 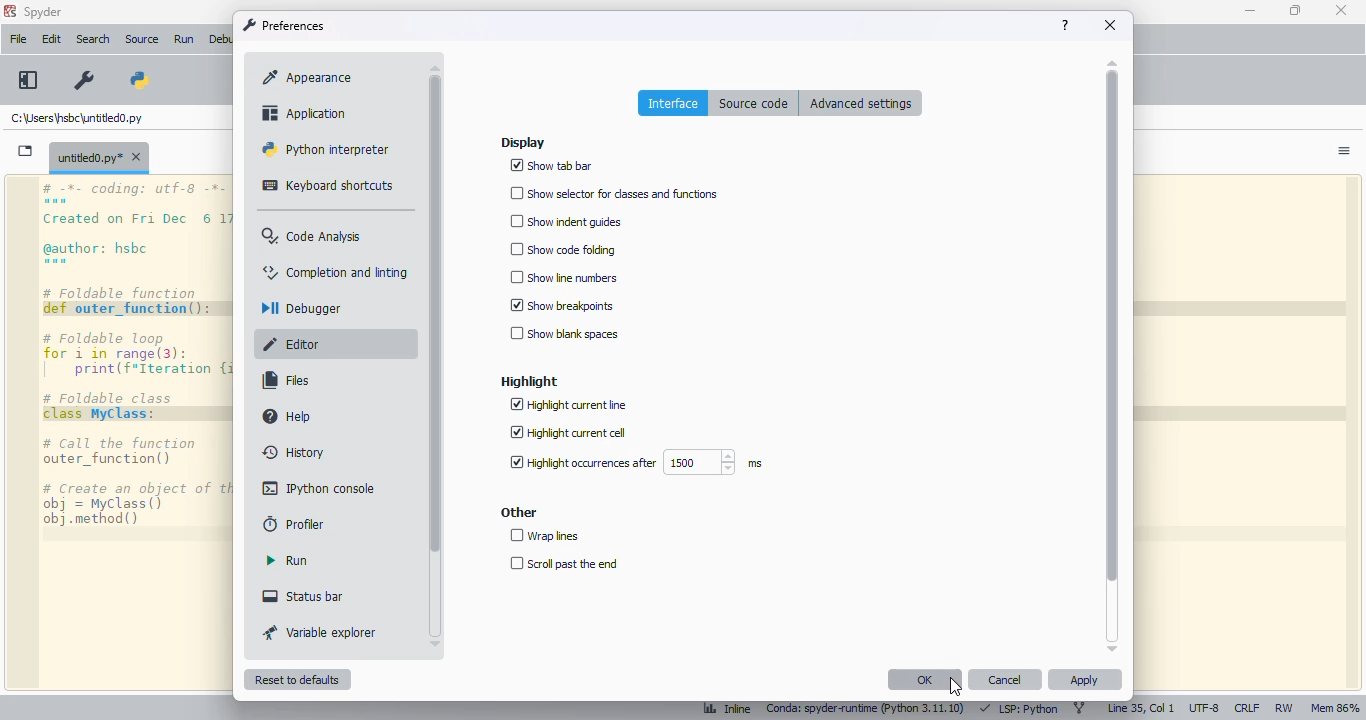 I want to click on untitled0.py, so click(x=77, y=117).